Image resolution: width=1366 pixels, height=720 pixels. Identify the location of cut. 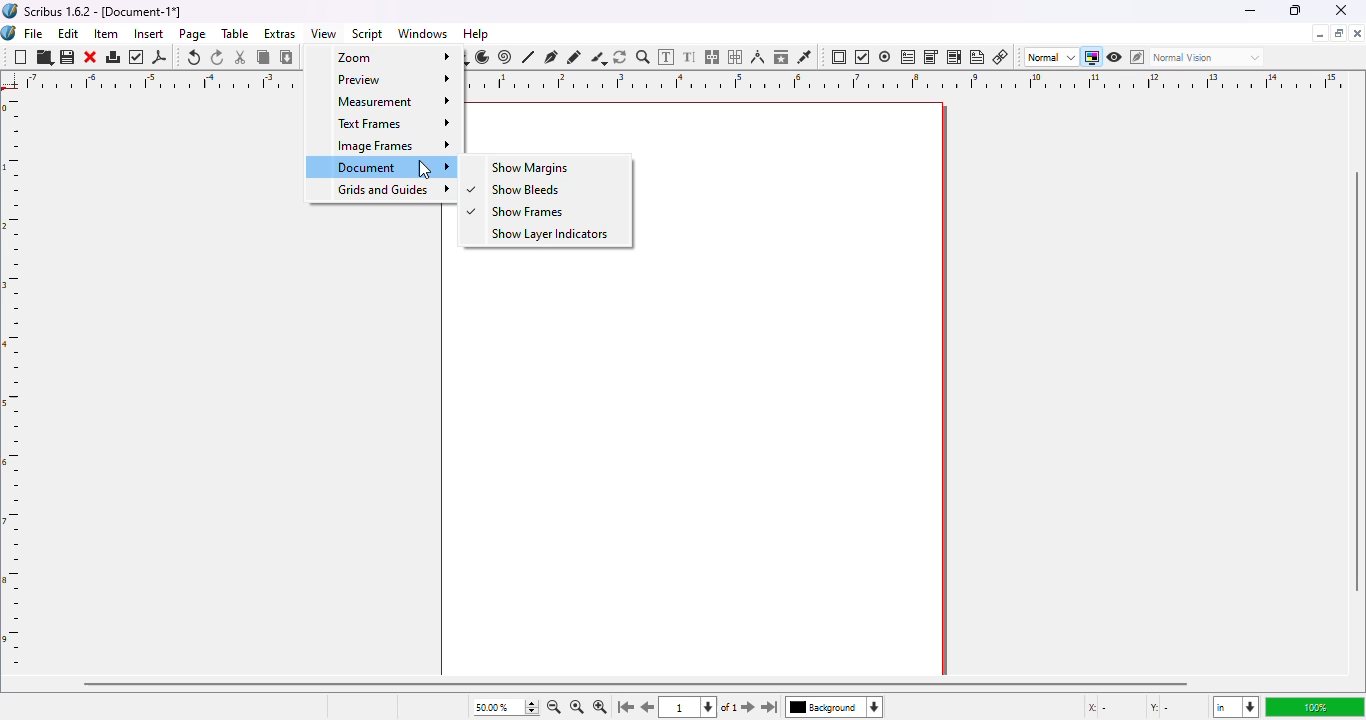
(241, 57).